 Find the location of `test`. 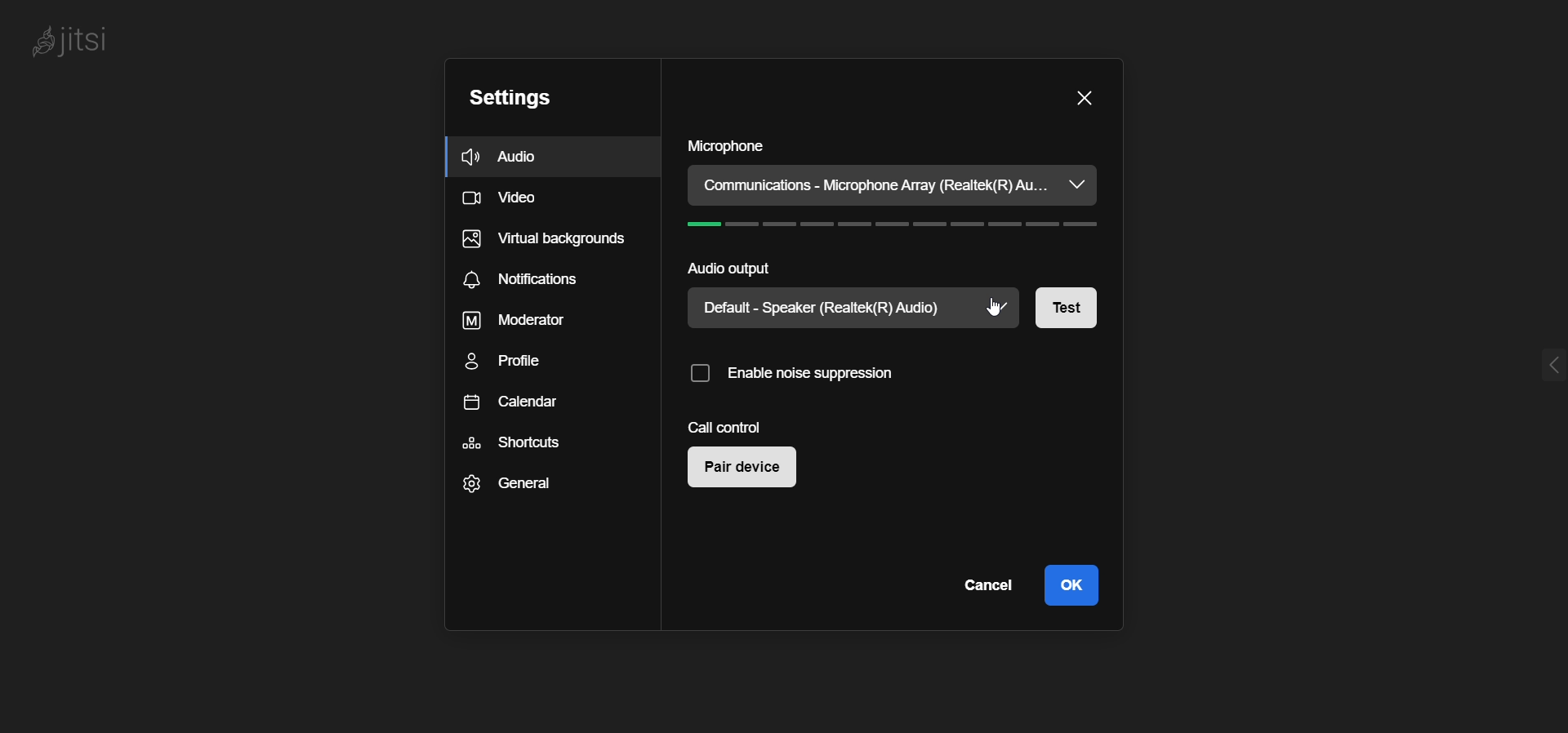

test is located at coordinates (1078, 308).